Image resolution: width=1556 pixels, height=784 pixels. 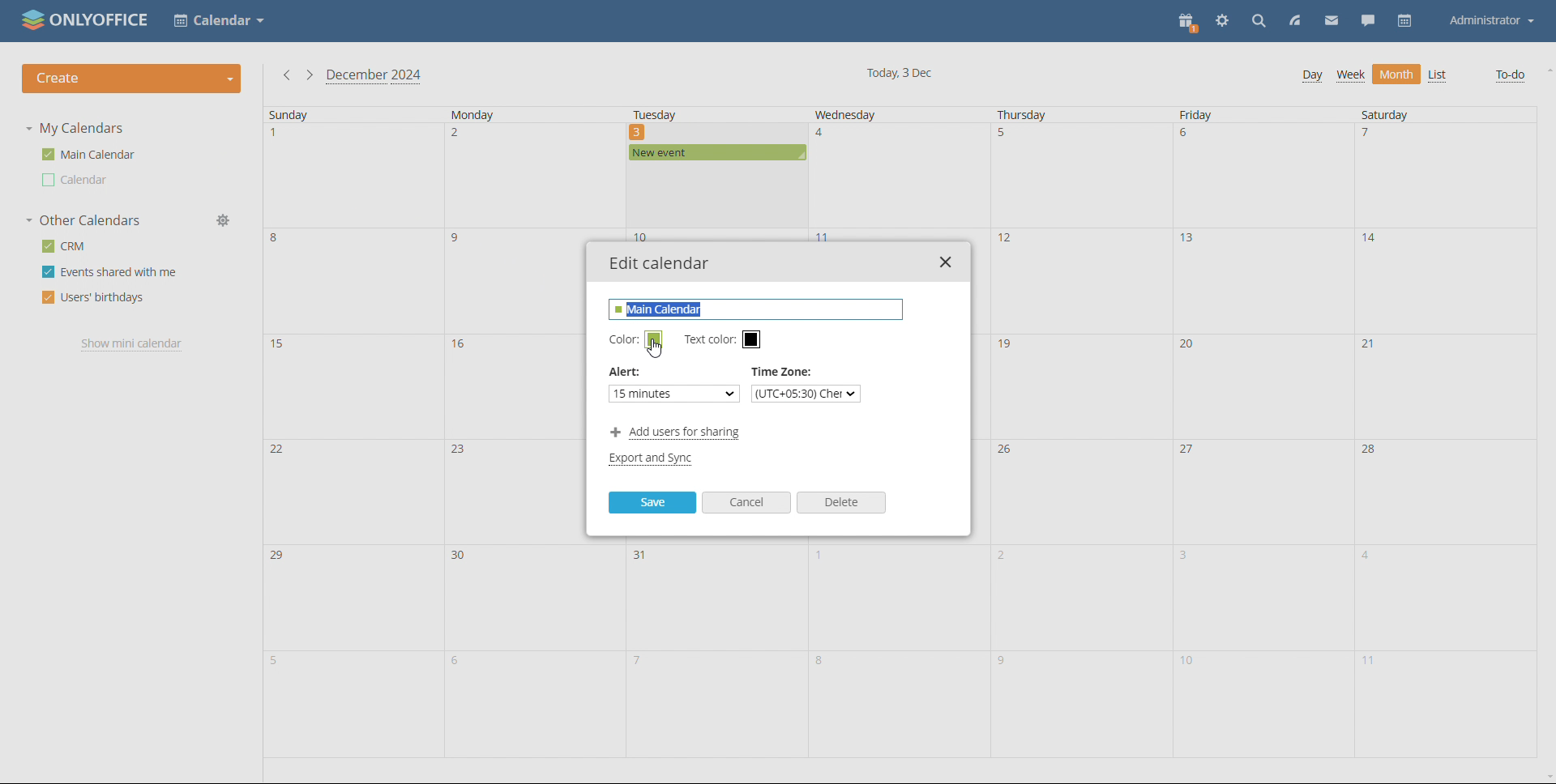 What do you see at coordinates (532, 177) in the screenshot?
I see `date` at bounding box center [532, 177].